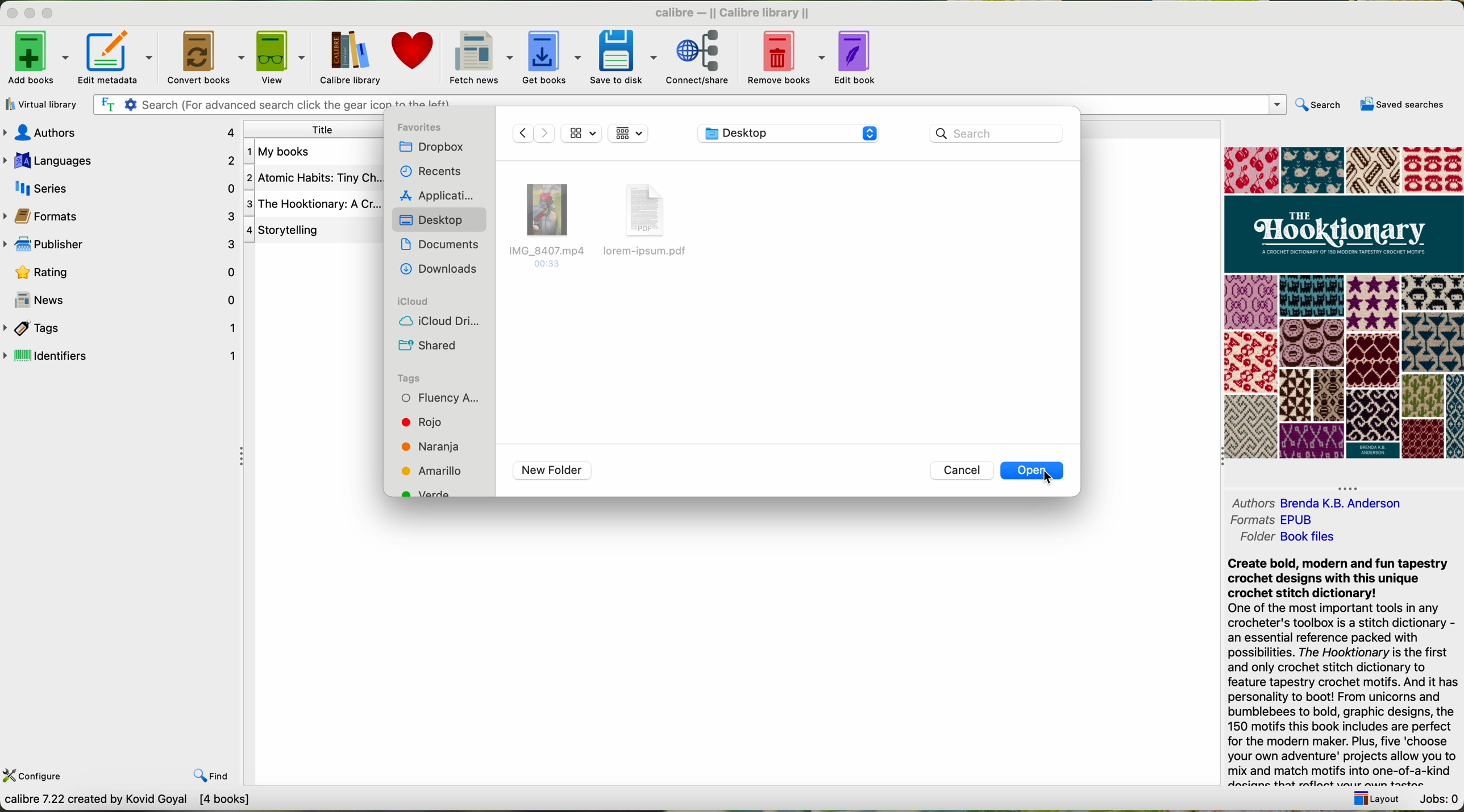  Describe the element at coordinates (30, 14) in the screenshot. I see `minimize Calibre` at that location.